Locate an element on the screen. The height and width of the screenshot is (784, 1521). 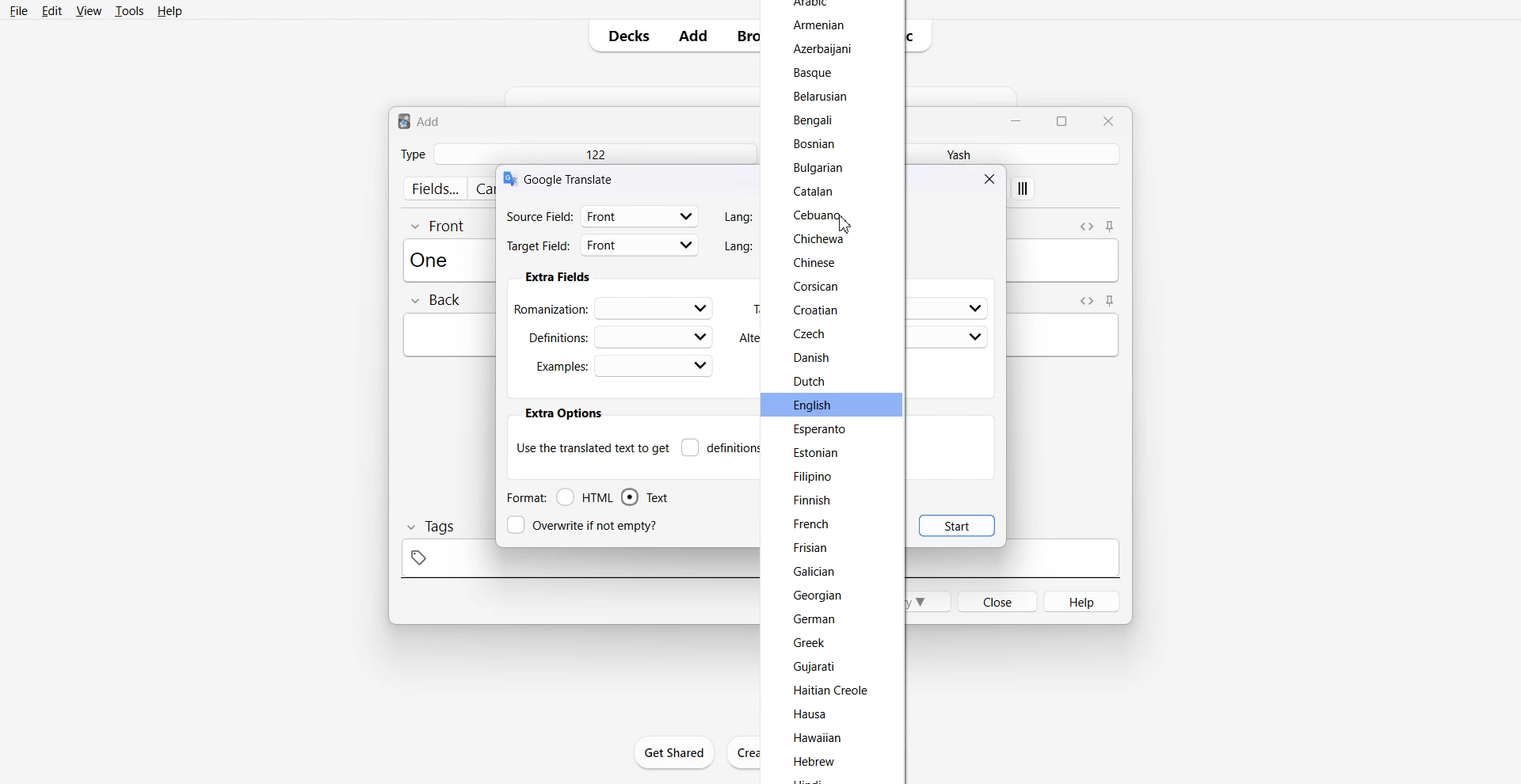
fields  is located at coordinates (434, 188).